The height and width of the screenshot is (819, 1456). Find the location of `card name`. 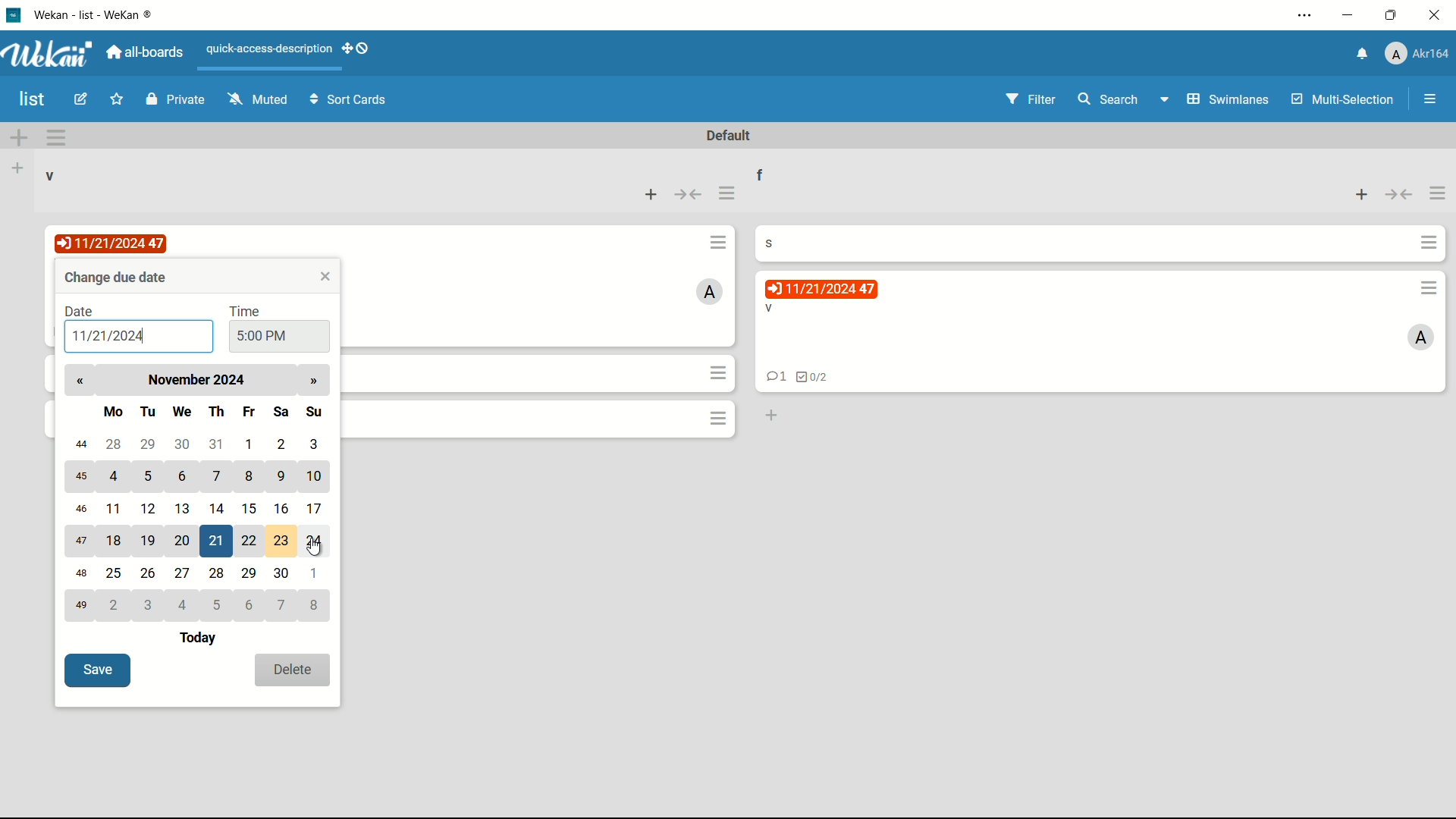

card name is located at coordinates (777, 242).